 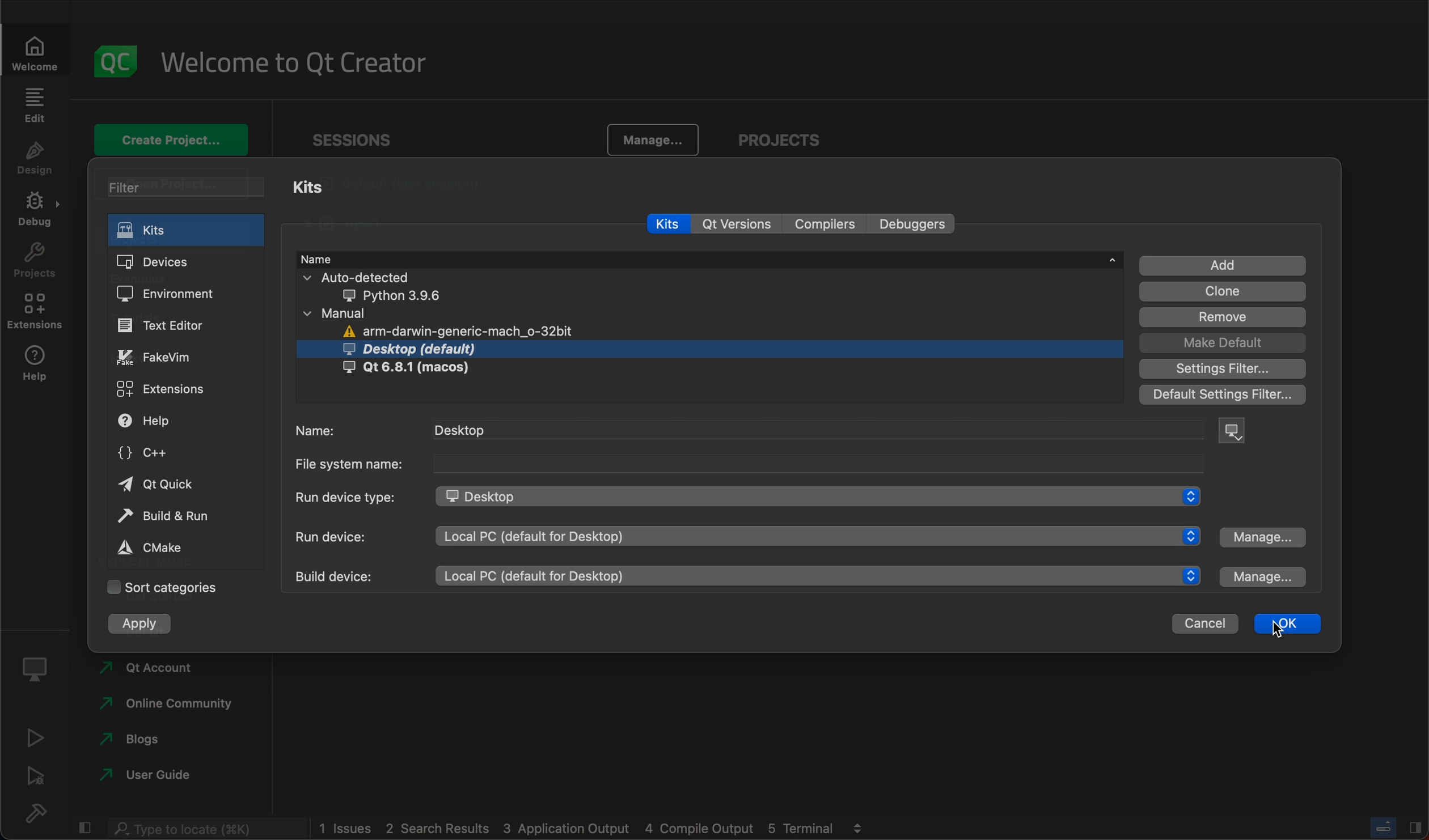 What do you see at coordinates (1223, 370) in the screenshot?
I see `settings filter` at bounding box center [1223, 370].